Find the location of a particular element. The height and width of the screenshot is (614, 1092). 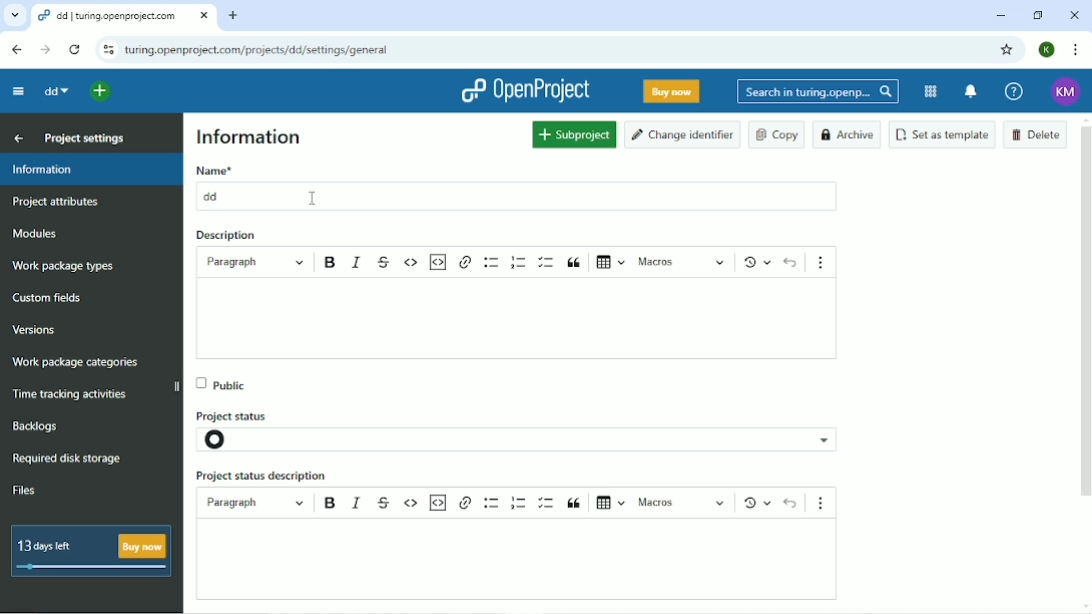

Project attributes is located at coordinates (57, 204).